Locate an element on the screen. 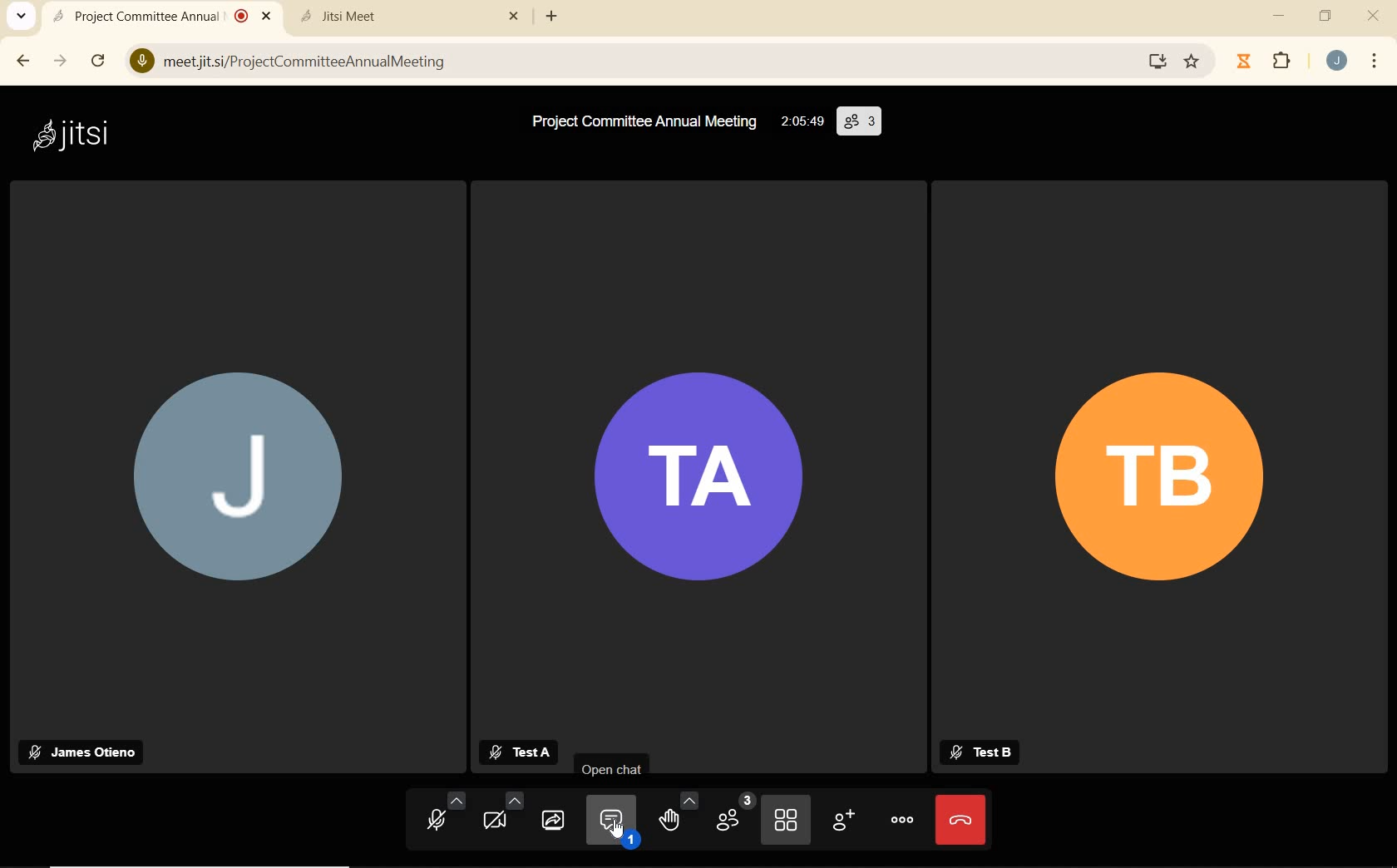 The image size is (1397, 868). close is located at coordinates (517, 16).